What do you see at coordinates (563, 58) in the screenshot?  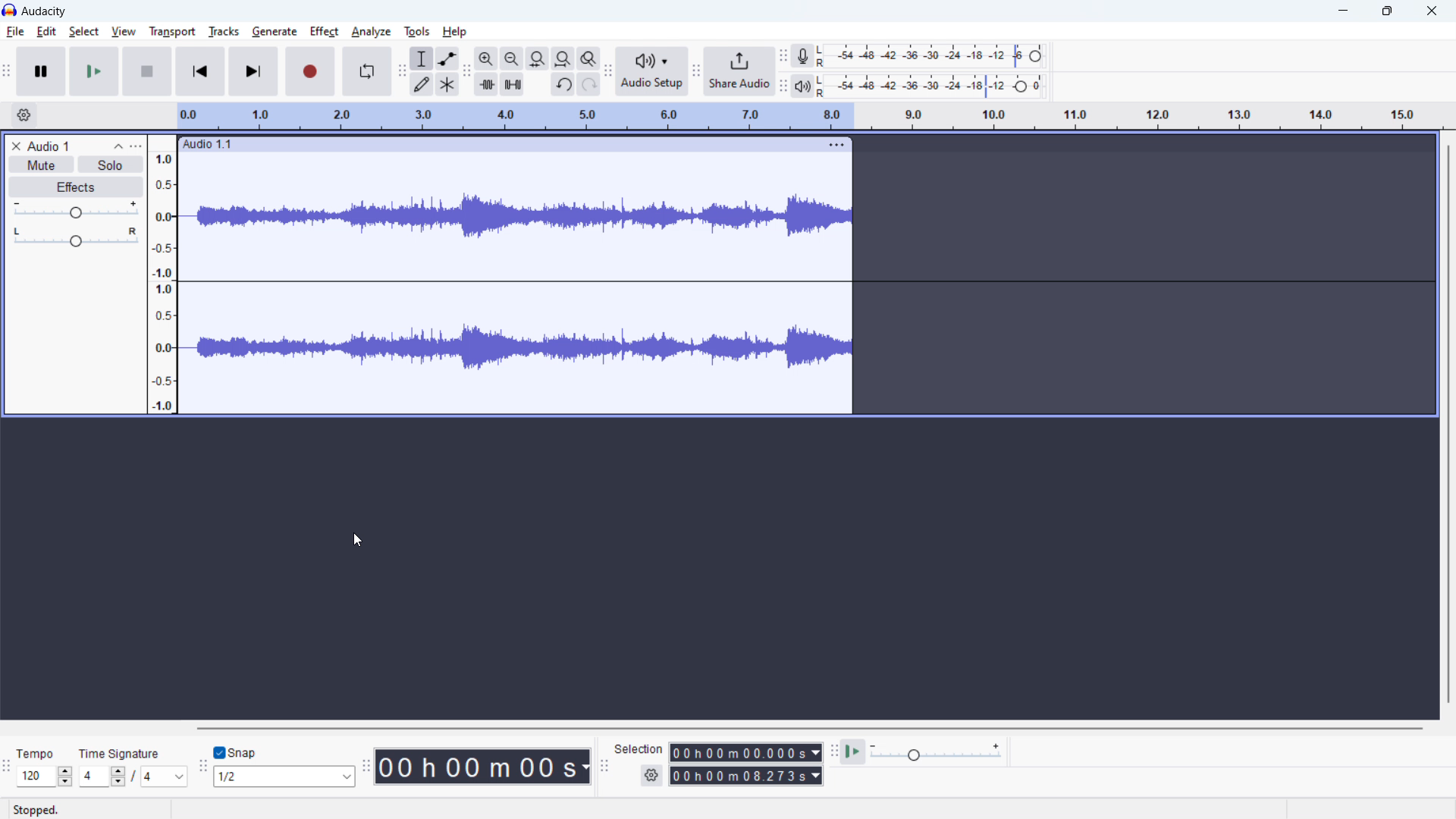 I see `fir project to width` at bounding box center [563, 58].